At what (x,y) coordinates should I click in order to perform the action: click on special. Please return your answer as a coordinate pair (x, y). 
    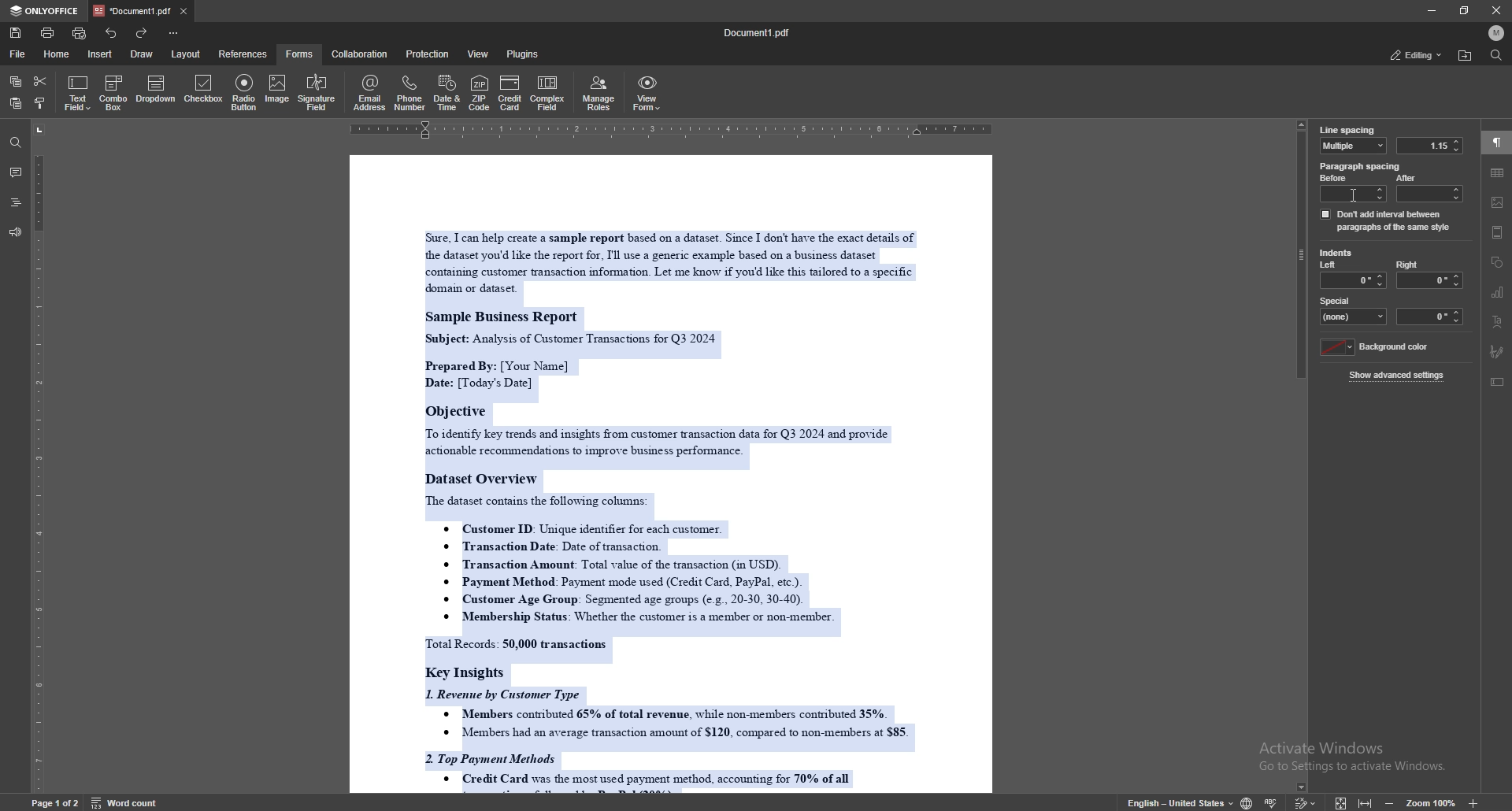
    Looking at the image, I should click on (1354, 309).